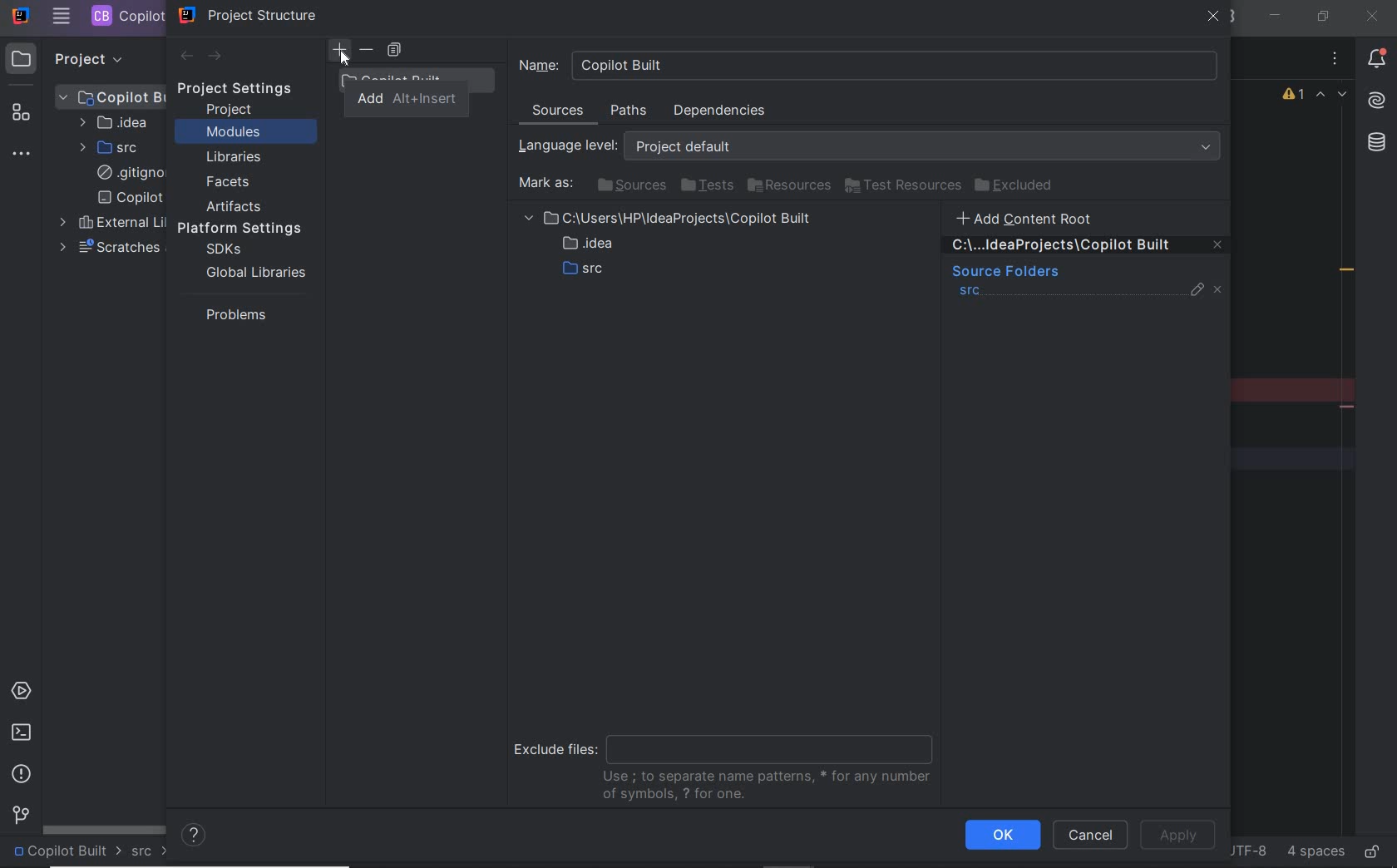 The image size is (1397, 868). Describe the element at coordinates (1004, 273) in the screenshot. I see `sources folders` at that location.